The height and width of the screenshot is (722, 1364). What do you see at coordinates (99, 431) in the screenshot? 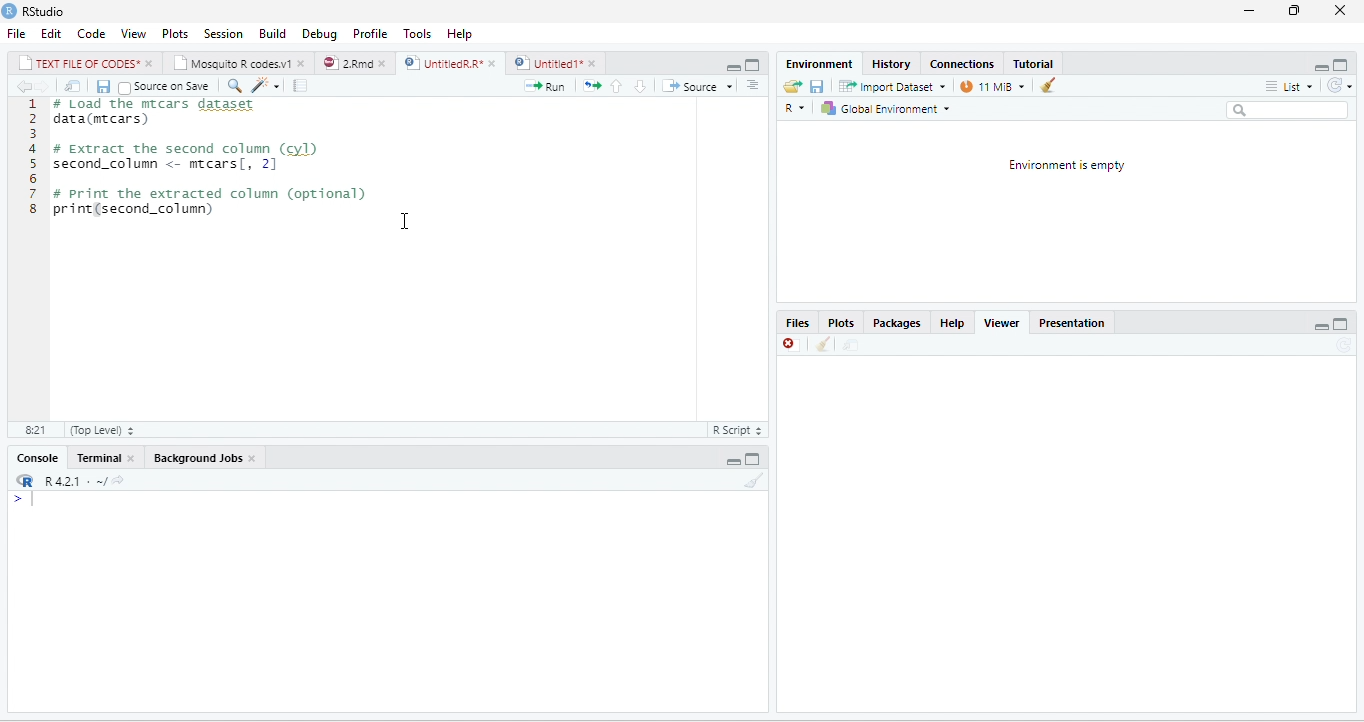
I see `(top level)` at bounding box center [99, 431].